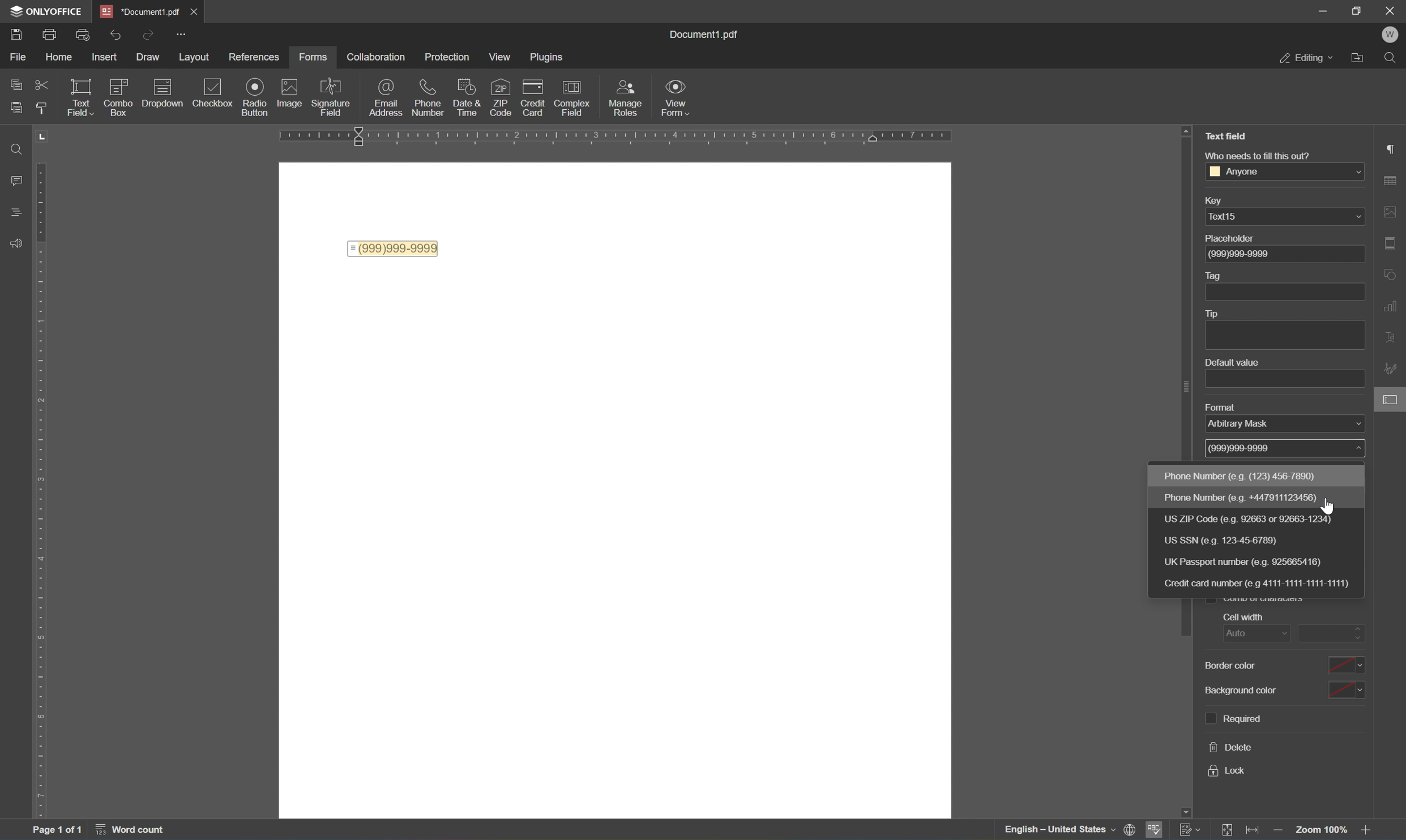 The height and width of the screenshot is (840, 1406). What do you see at coordinates (180, 33) in the screenshot?
I see `customize quick access toolbar` at bounding box center [180, 33].